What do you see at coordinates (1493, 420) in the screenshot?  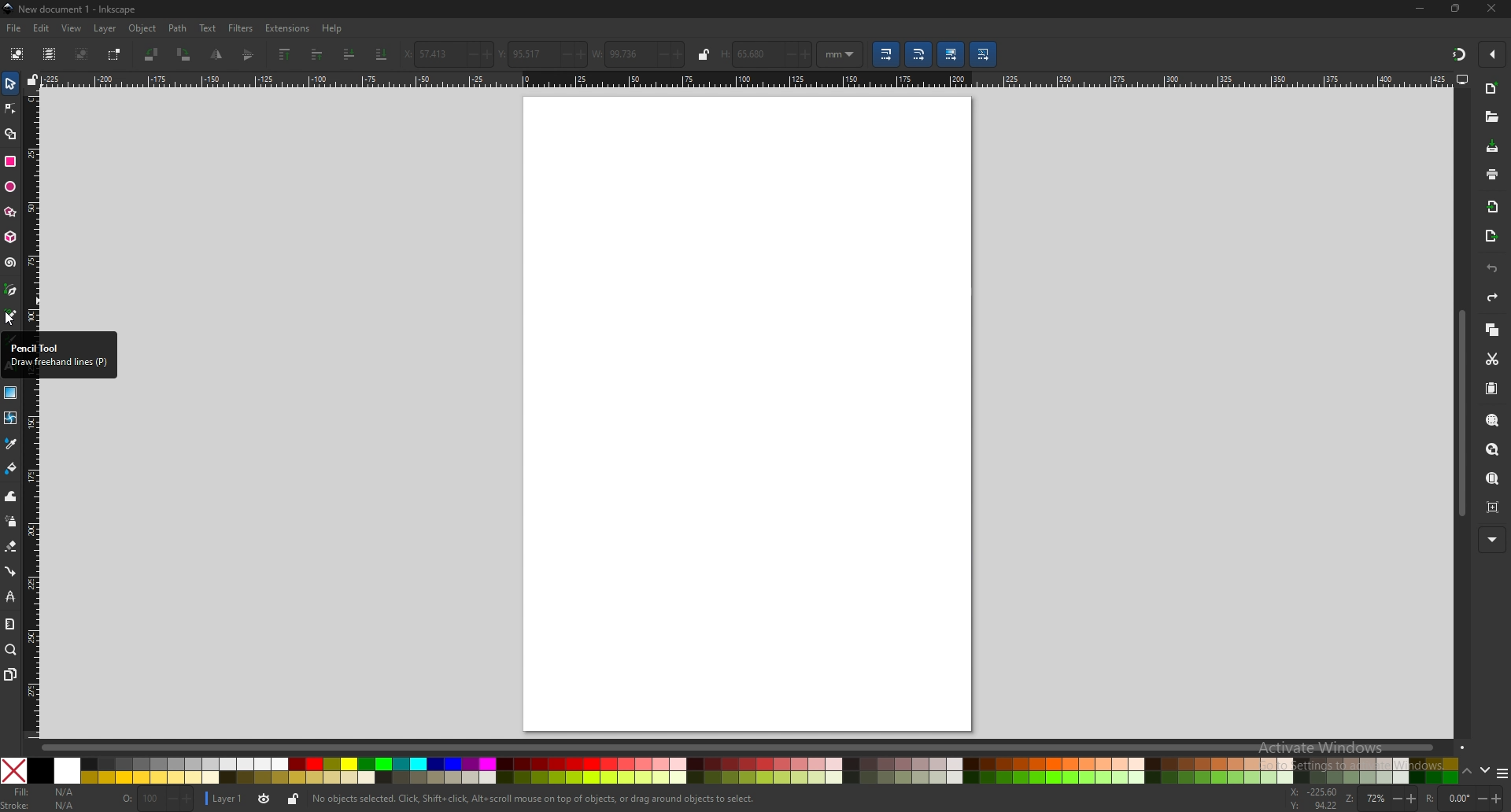 I see `zoom selection` at bounding box center [1493, 420].